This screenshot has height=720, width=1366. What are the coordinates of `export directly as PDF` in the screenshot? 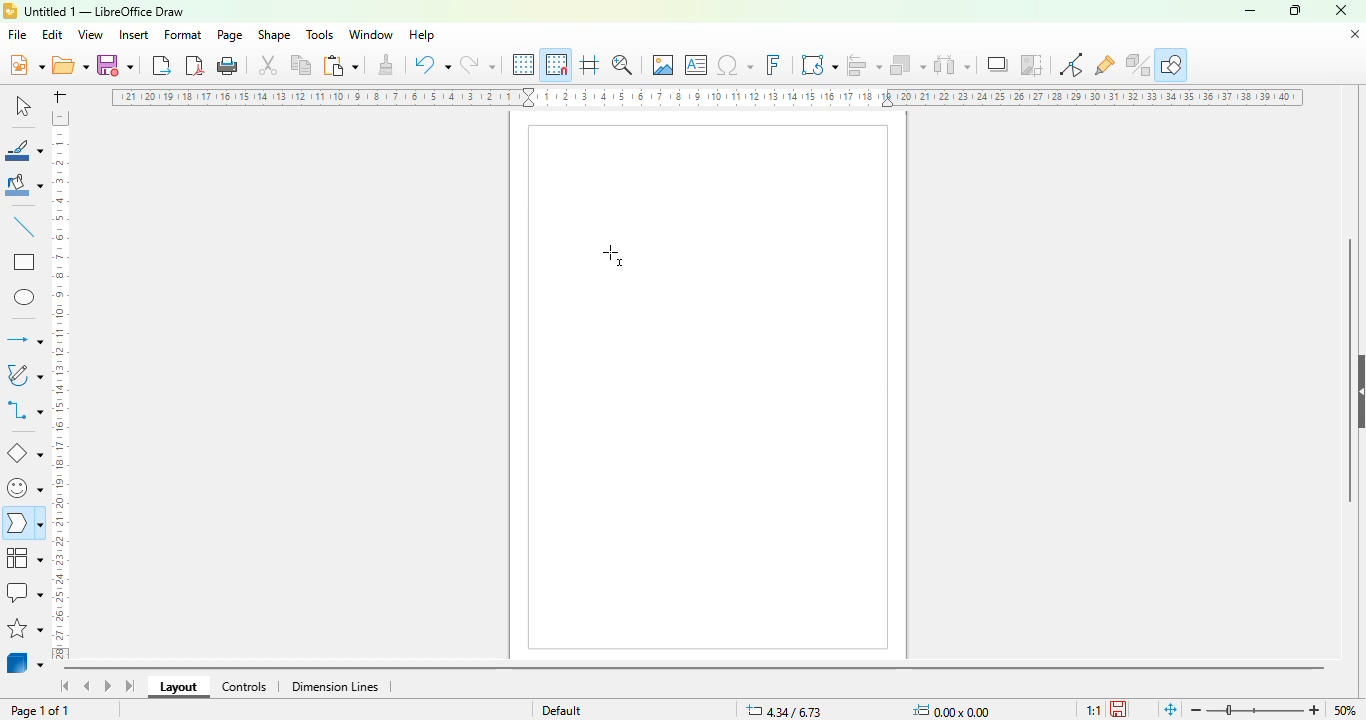 It's located at (195, 65).